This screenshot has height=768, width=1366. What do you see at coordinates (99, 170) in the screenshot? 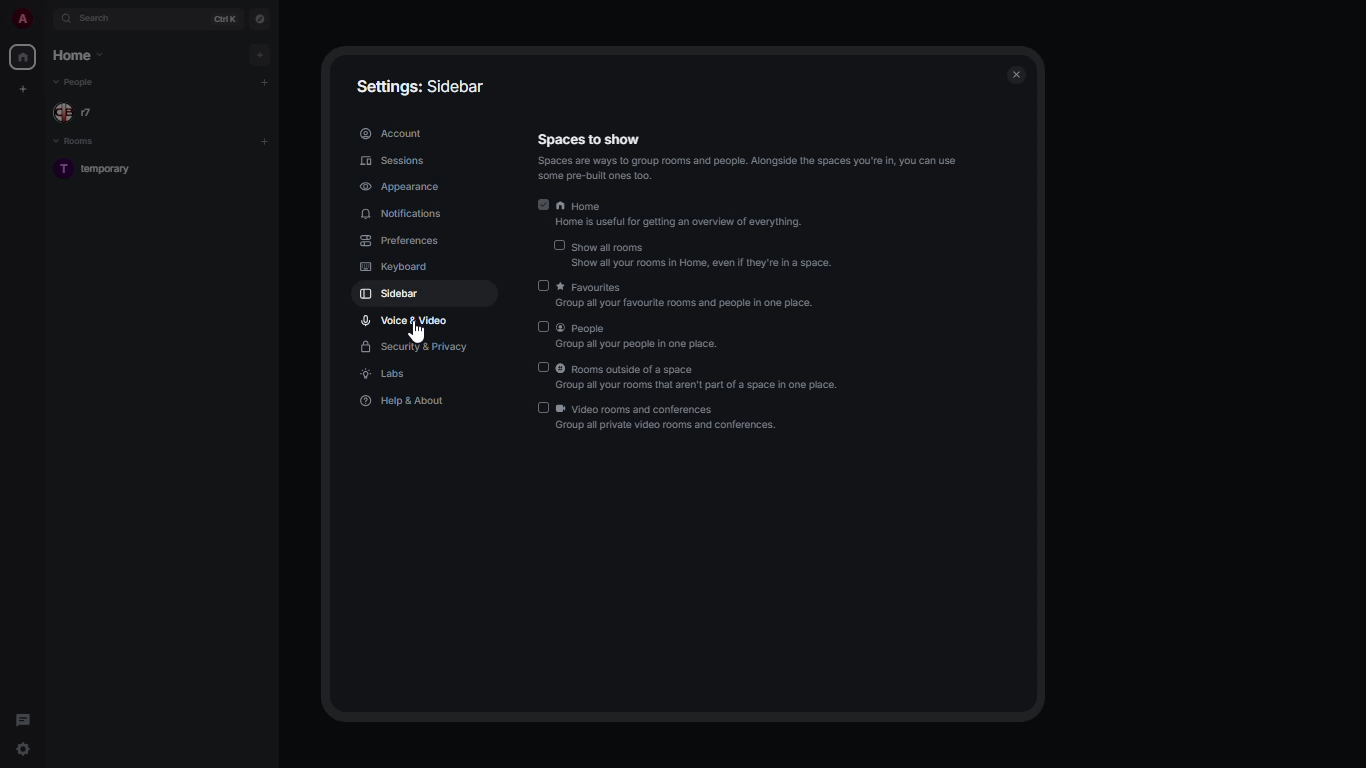
I see `room` at bounding box center [99, 170].